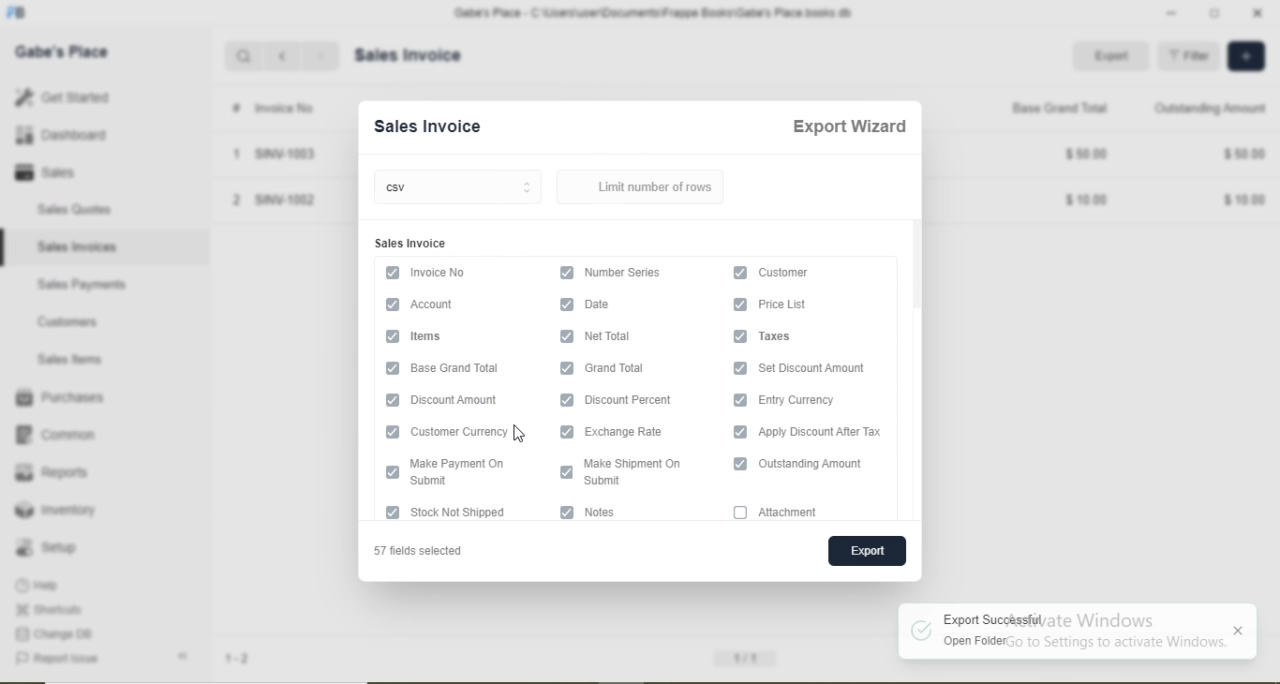 This screenshot has height=684, width=1280. I want to click on Export Successful, so click(994, 620).